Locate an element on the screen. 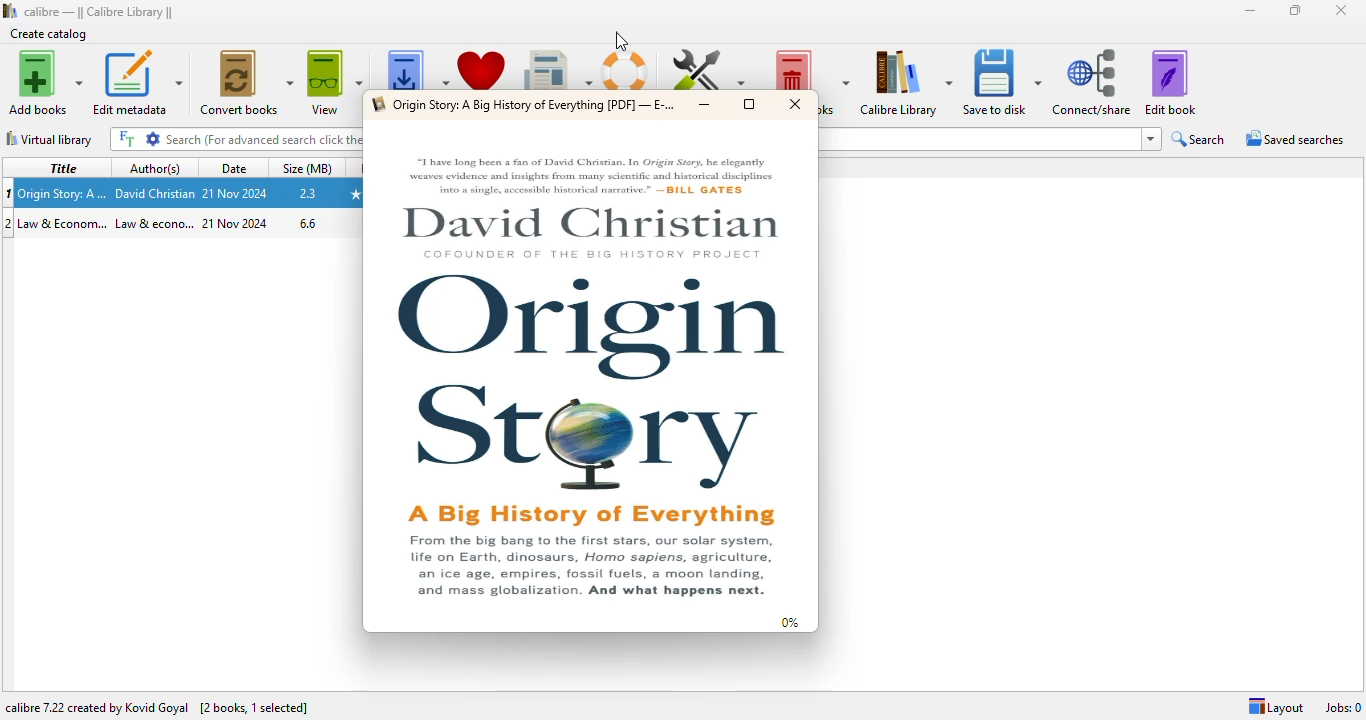  cursor is located at coordinates (621, 41).